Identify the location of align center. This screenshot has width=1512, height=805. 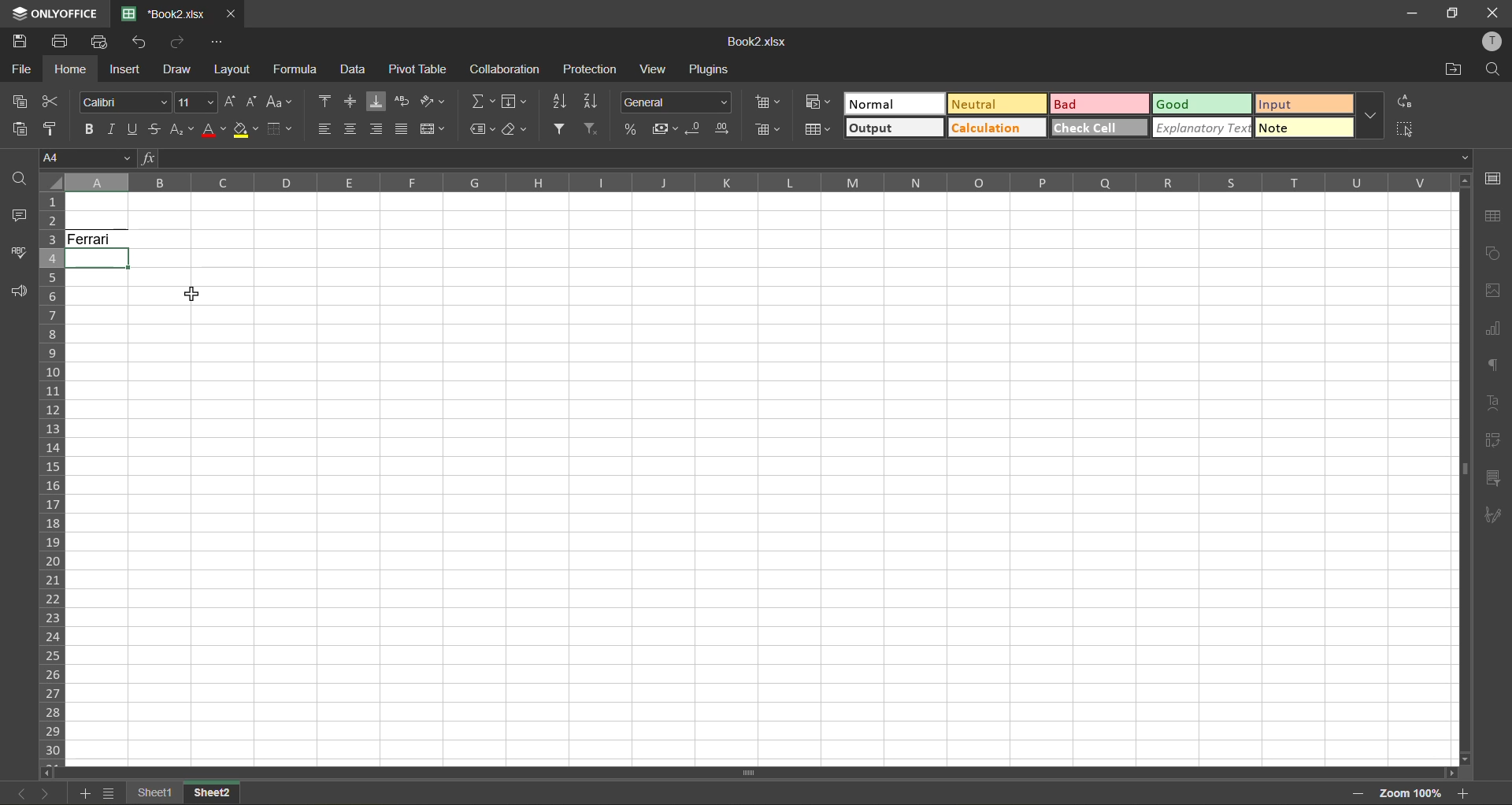
(352, 129).